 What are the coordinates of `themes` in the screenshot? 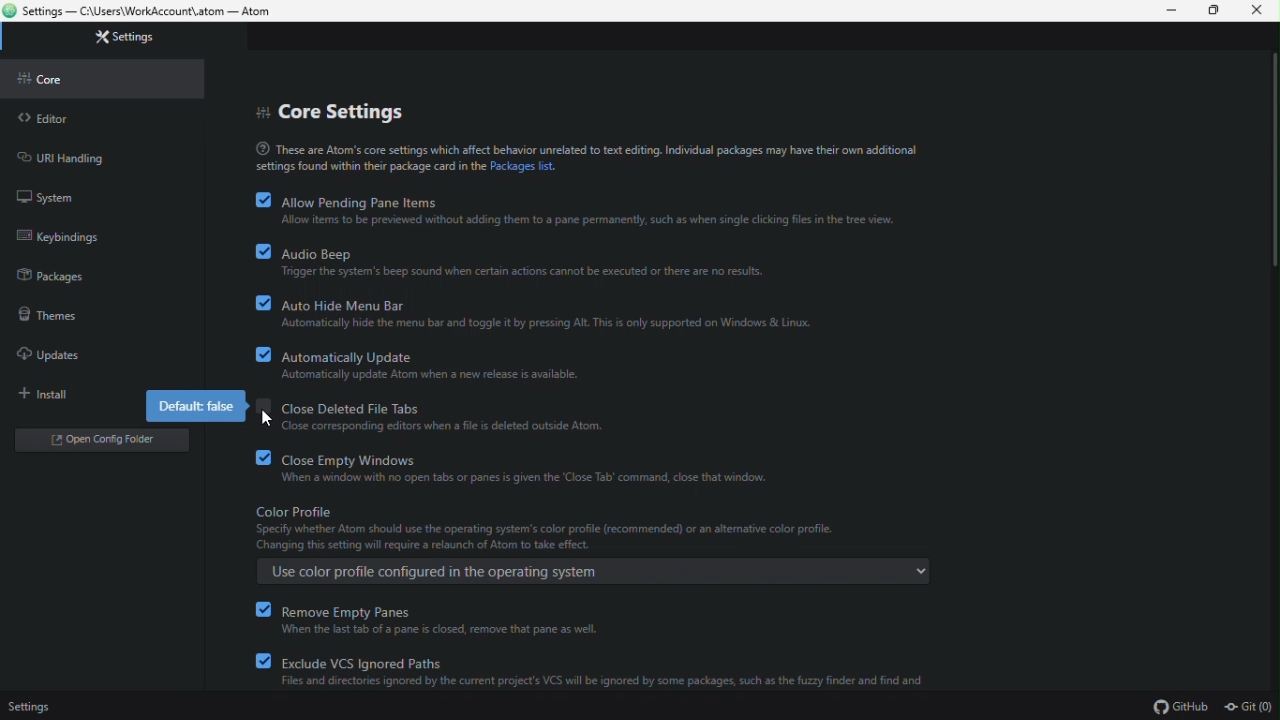 It's located at (53, 314).